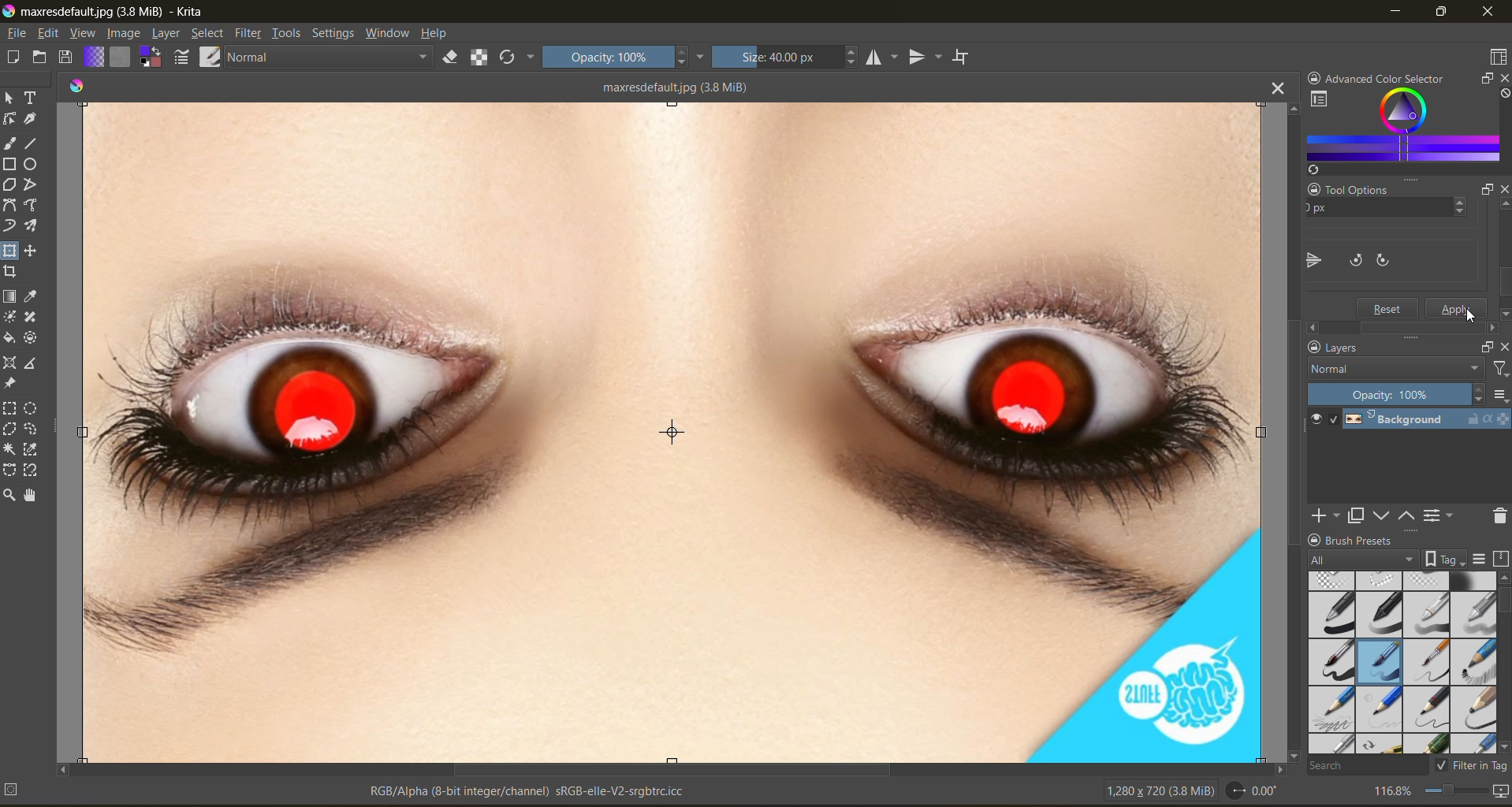 The image size is (1512, 807). What do you see at coordinates (928, 58) in the screenshot?
I see `vertical mirror tool` at bounding box center [928, 58].